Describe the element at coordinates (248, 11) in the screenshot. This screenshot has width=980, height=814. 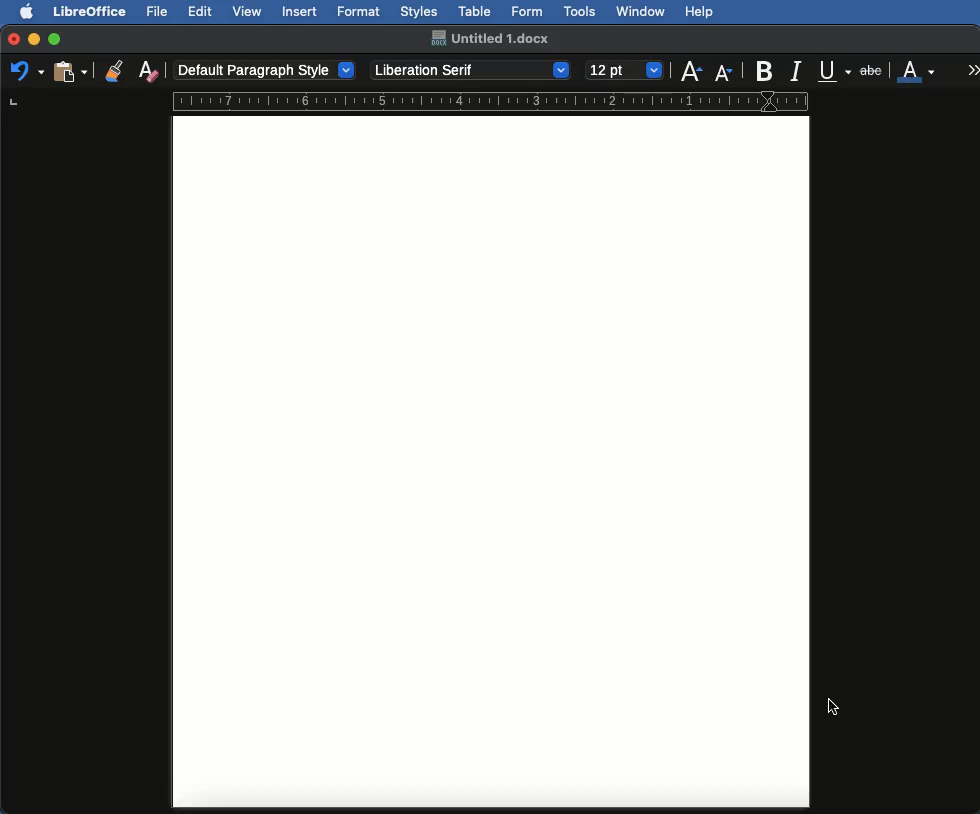
I see `View` at that location.